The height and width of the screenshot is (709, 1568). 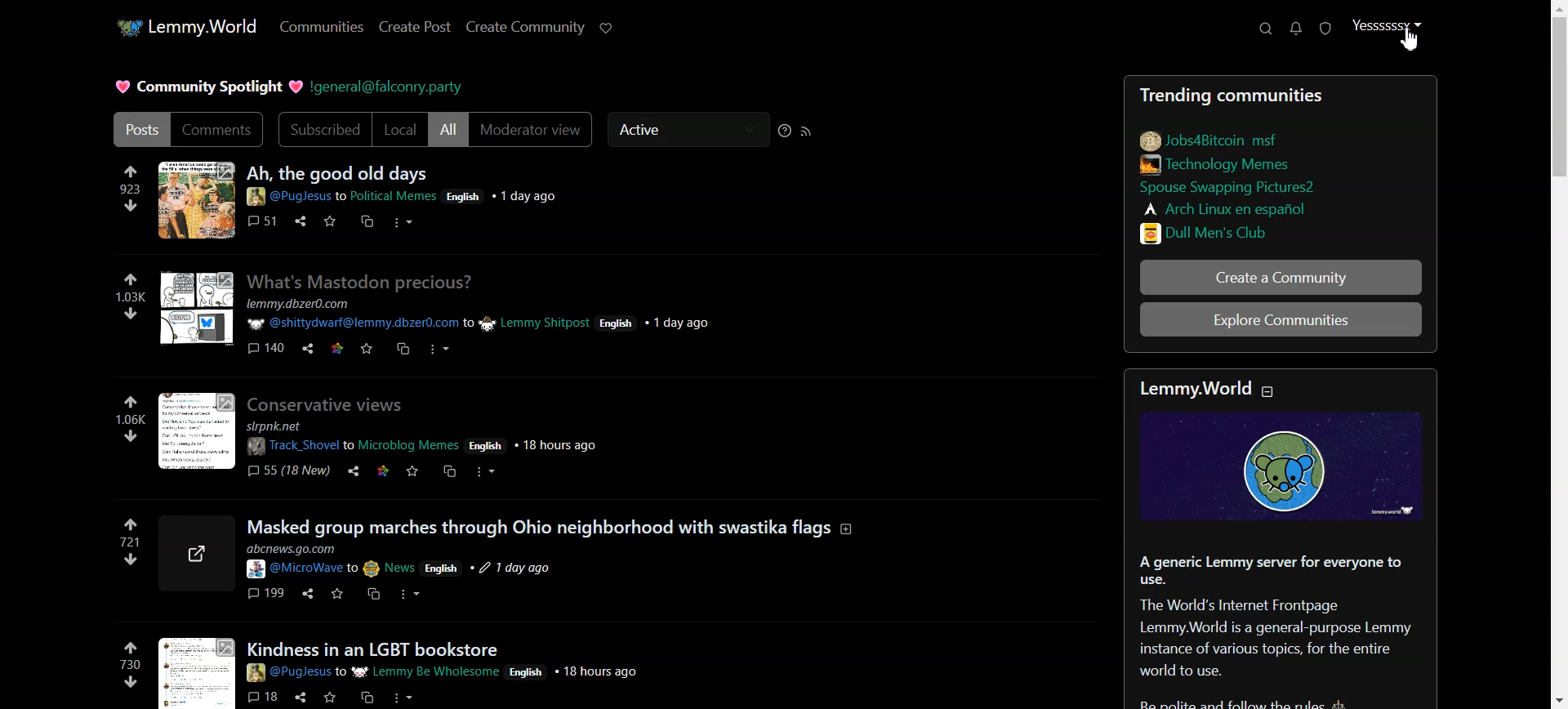 What do you see at coordinates (306, 593) in the screenshot?
I see `share` at bounding box center [306, 593].